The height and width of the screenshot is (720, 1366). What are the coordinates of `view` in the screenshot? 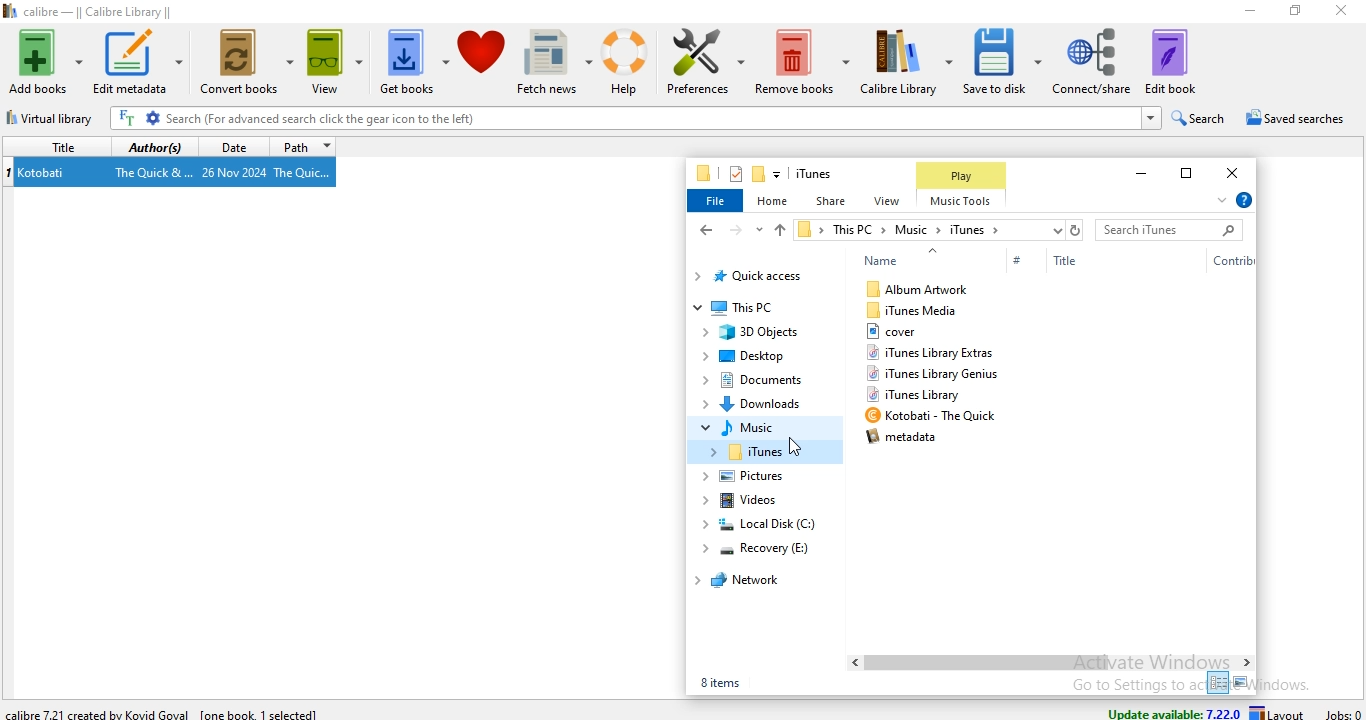 It's located at (890, 201).